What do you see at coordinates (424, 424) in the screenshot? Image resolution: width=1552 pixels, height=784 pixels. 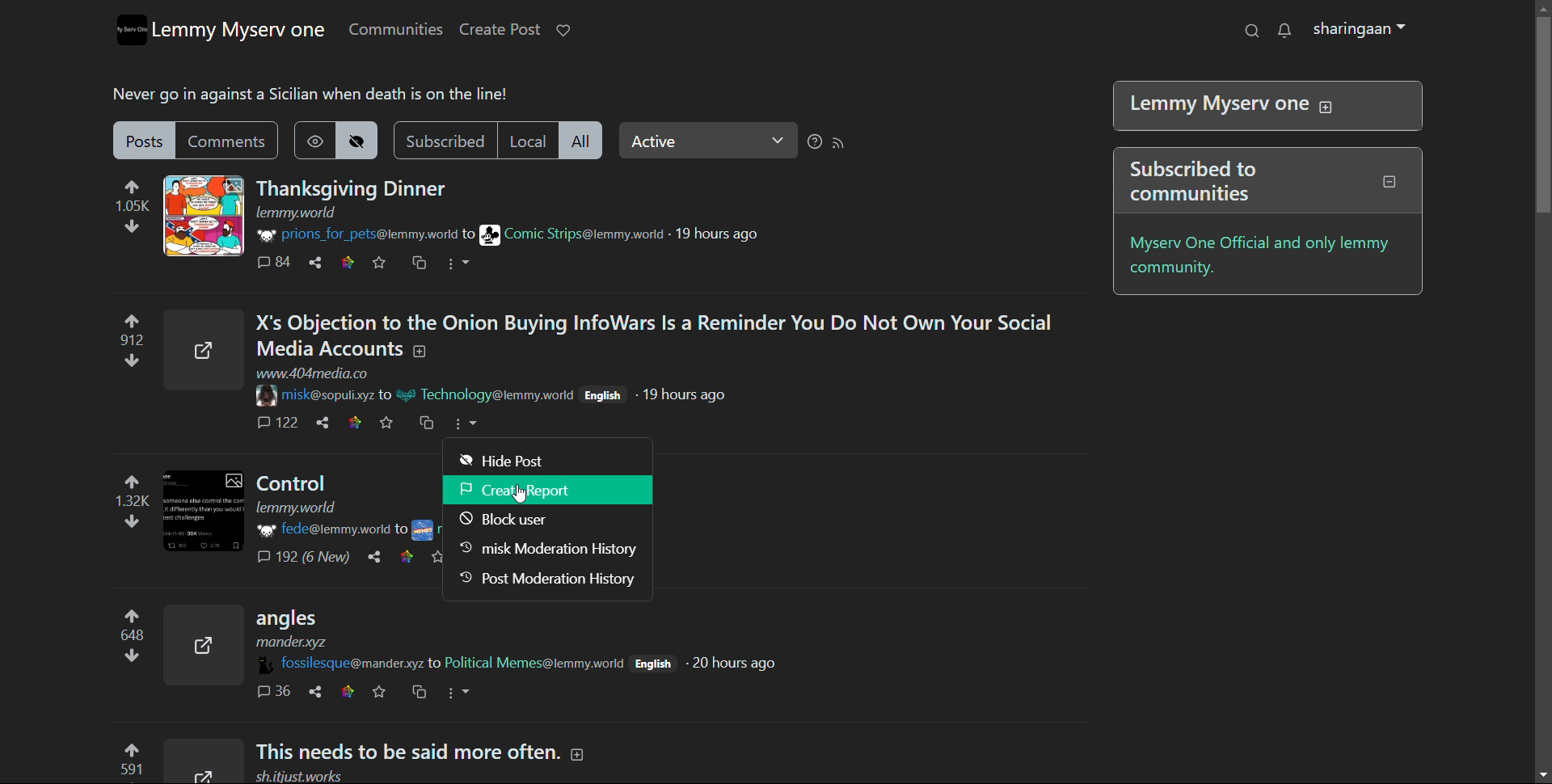 I see `Cross post` at bounding box center [424, 424].